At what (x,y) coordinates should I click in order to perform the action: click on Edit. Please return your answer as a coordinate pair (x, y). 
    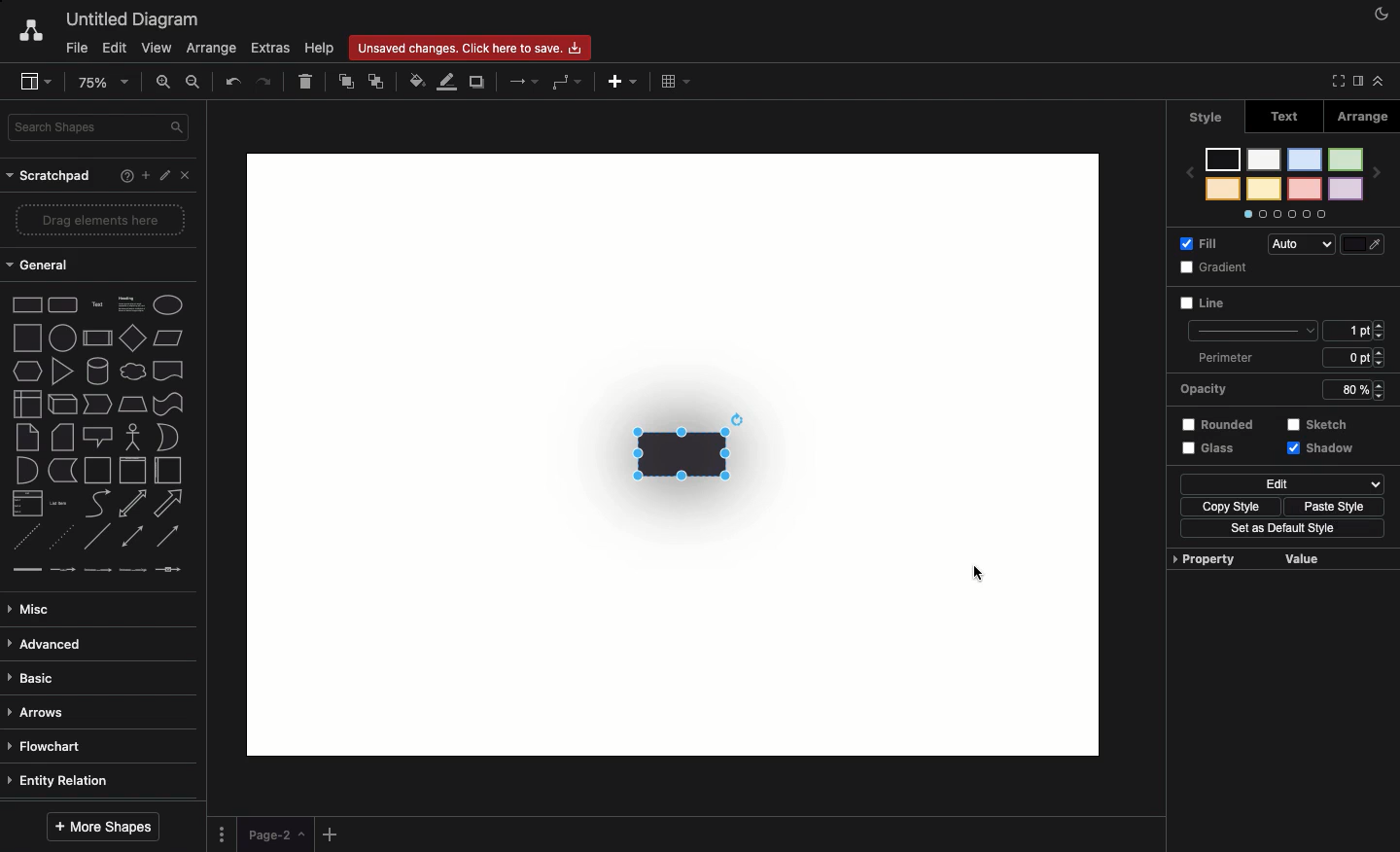
    Looking at the image, I should click on (1284, 482).